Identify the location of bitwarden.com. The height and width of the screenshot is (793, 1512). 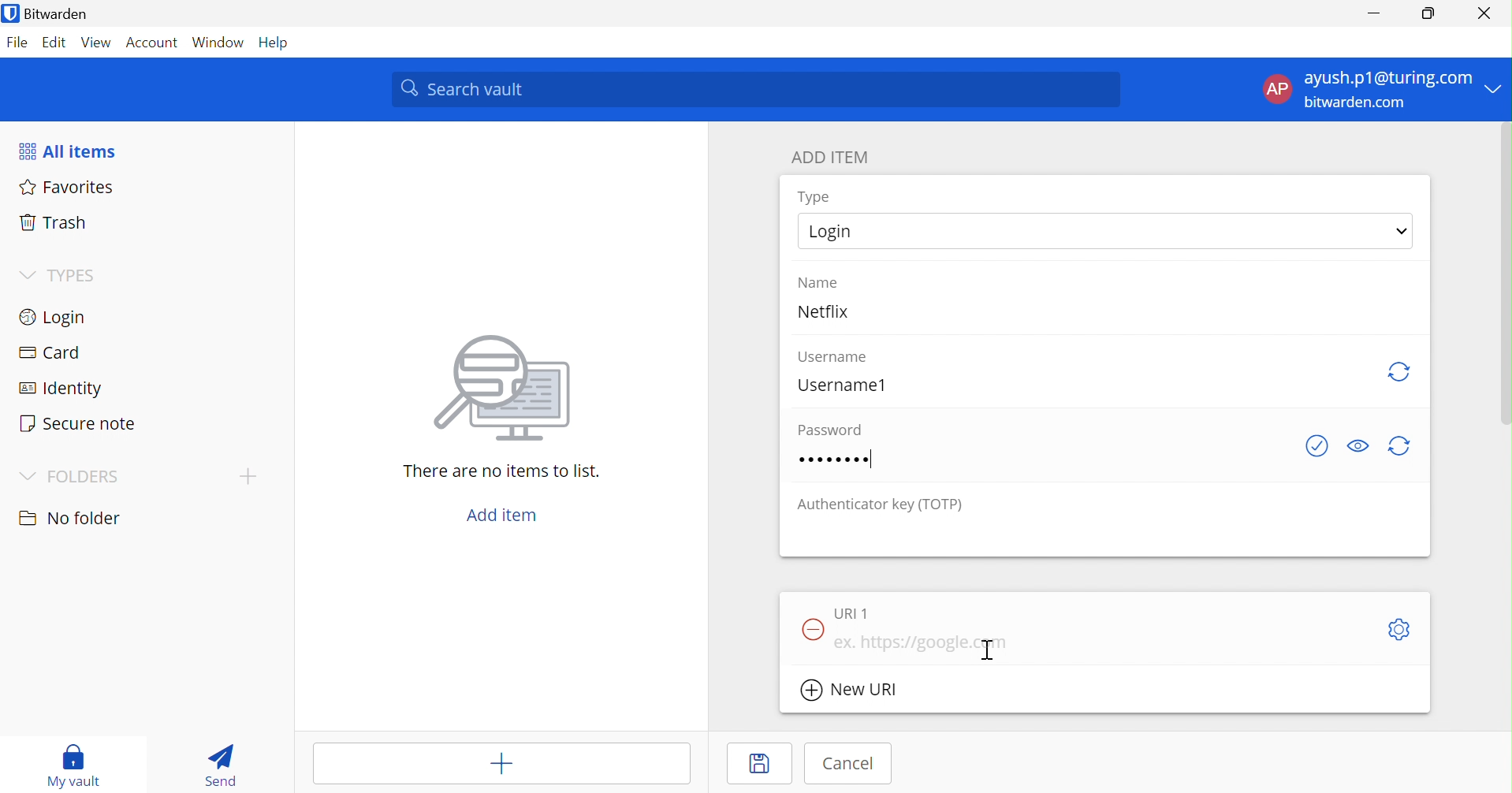
(1354, 102).